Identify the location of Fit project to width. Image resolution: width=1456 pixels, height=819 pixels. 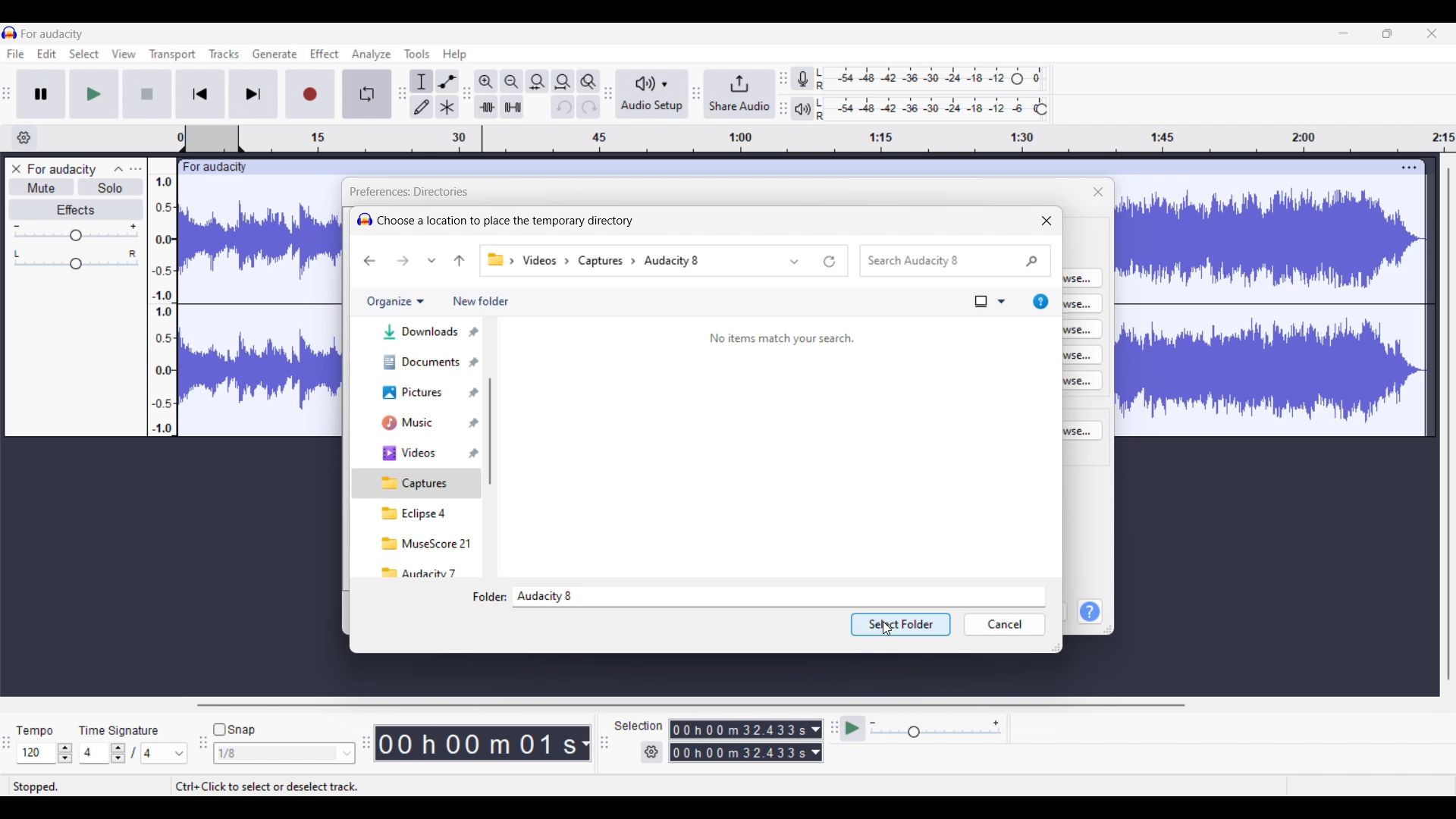
(563, 82).